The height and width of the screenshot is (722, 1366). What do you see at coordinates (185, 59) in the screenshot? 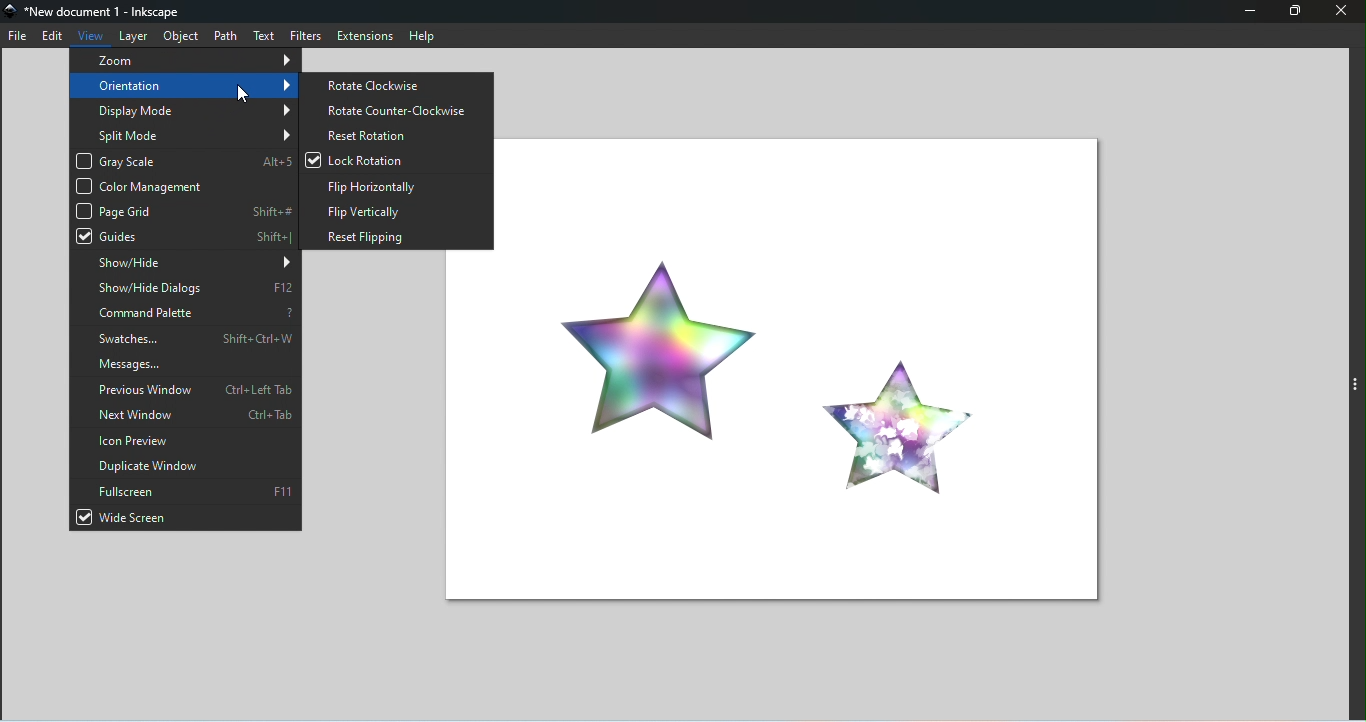
I see `Zoom` at bounding box center [185, 59].